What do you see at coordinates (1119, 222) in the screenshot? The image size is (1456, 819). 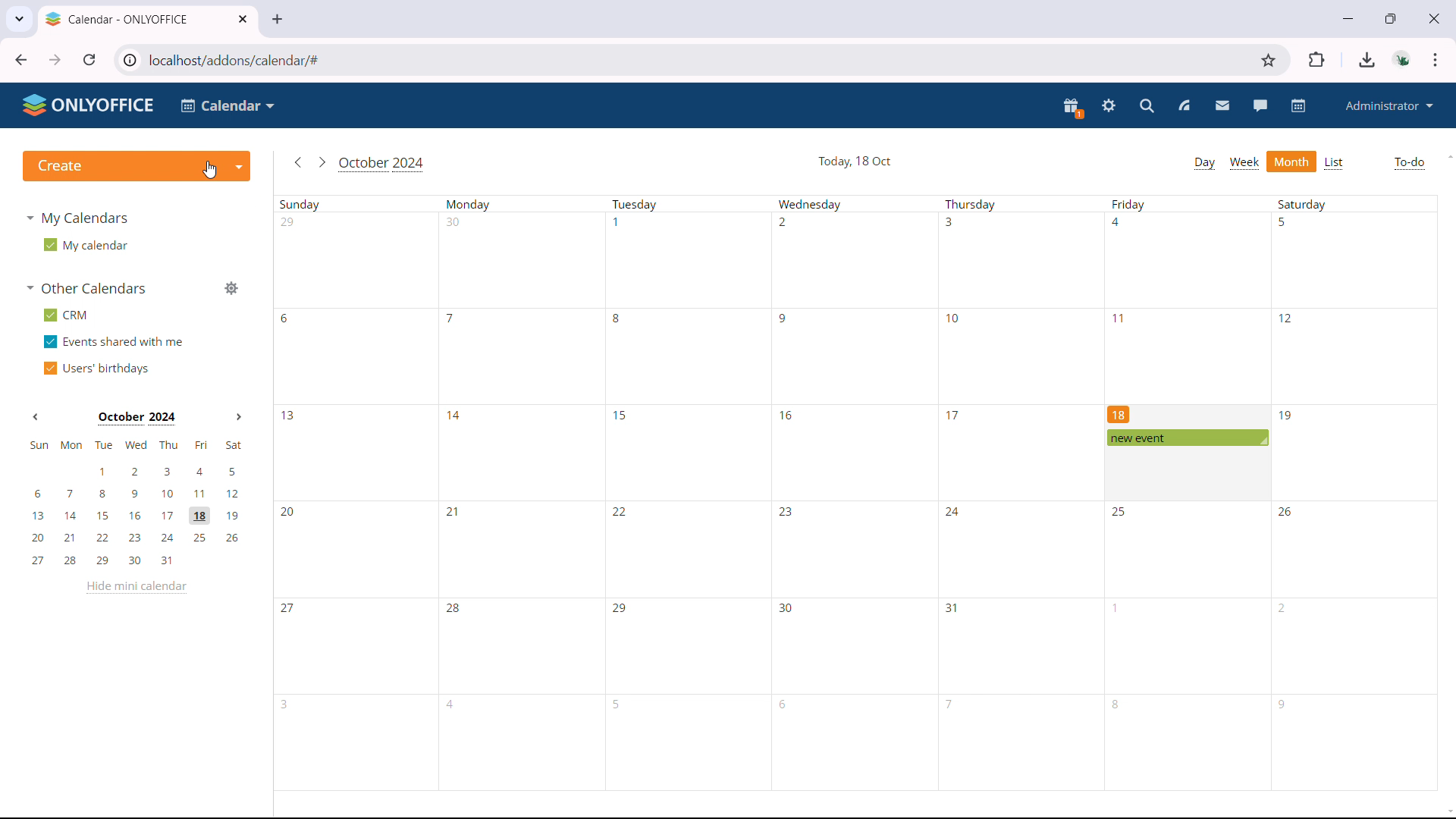 I see `4` at bounding box center [1119, 222].